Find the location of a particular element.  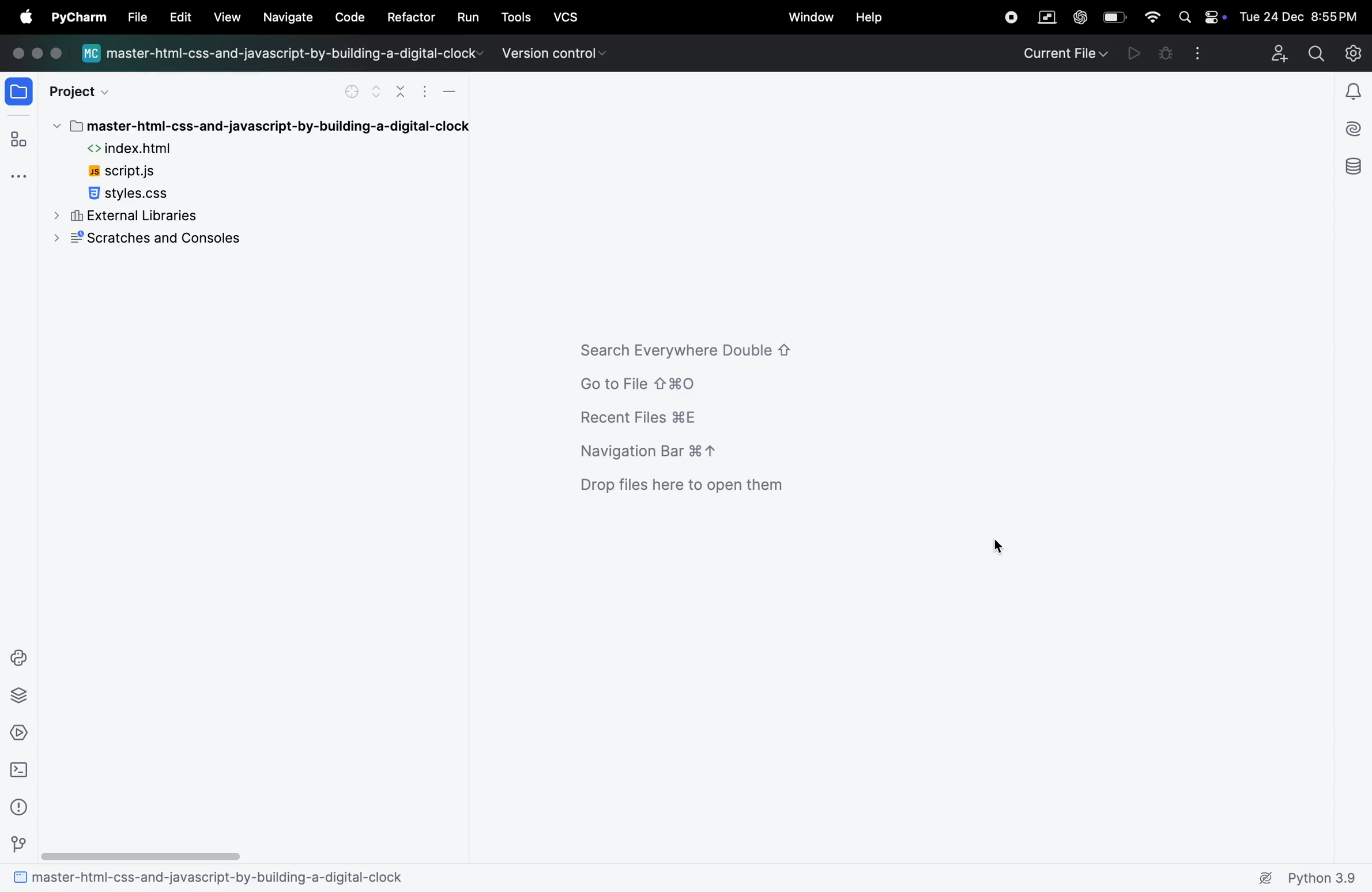

settings is located at coordinates (1356, 50).